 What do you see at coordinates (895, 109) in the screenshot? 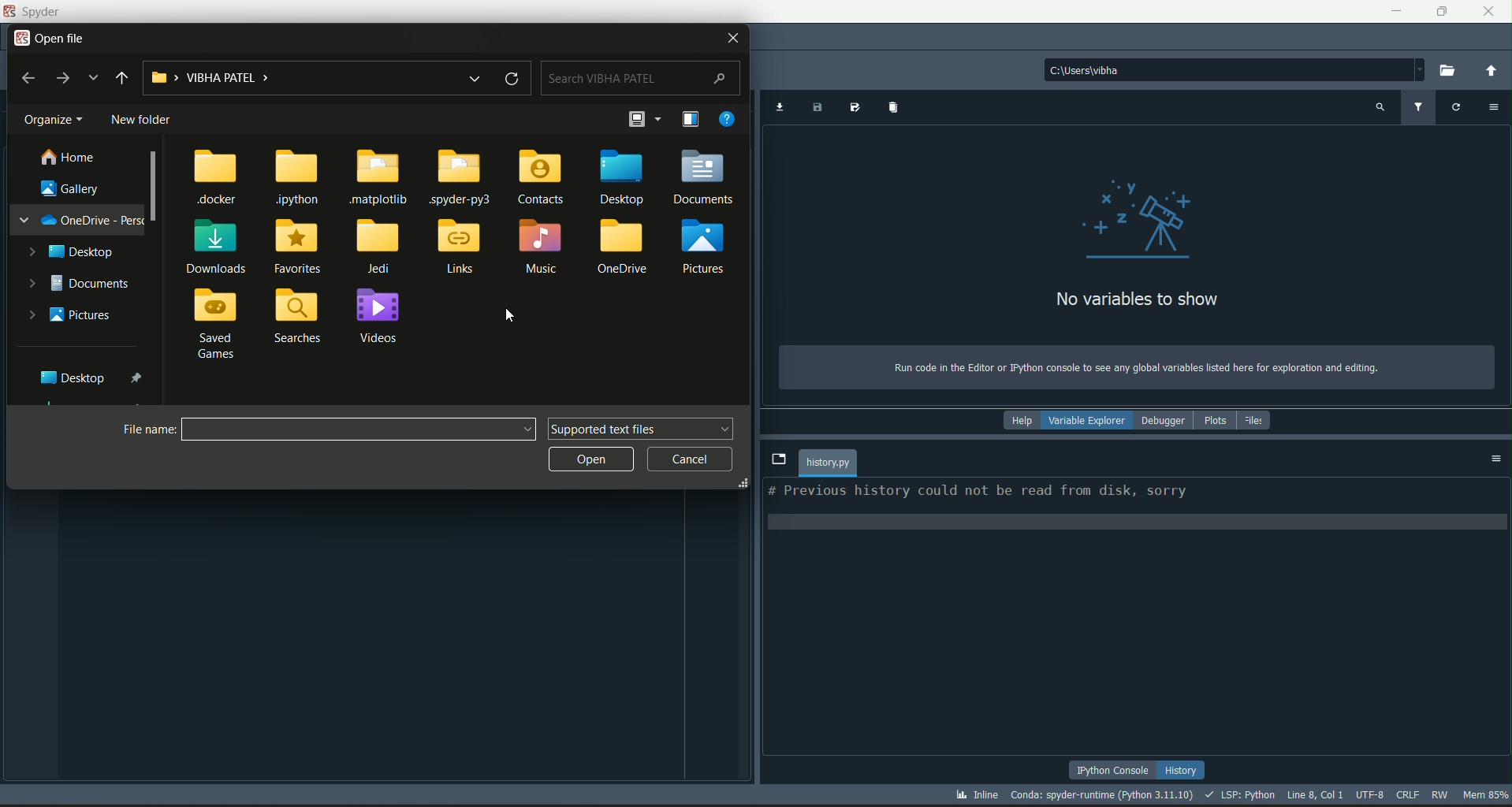
I see `remove variables` at bounding box center [895, 109].